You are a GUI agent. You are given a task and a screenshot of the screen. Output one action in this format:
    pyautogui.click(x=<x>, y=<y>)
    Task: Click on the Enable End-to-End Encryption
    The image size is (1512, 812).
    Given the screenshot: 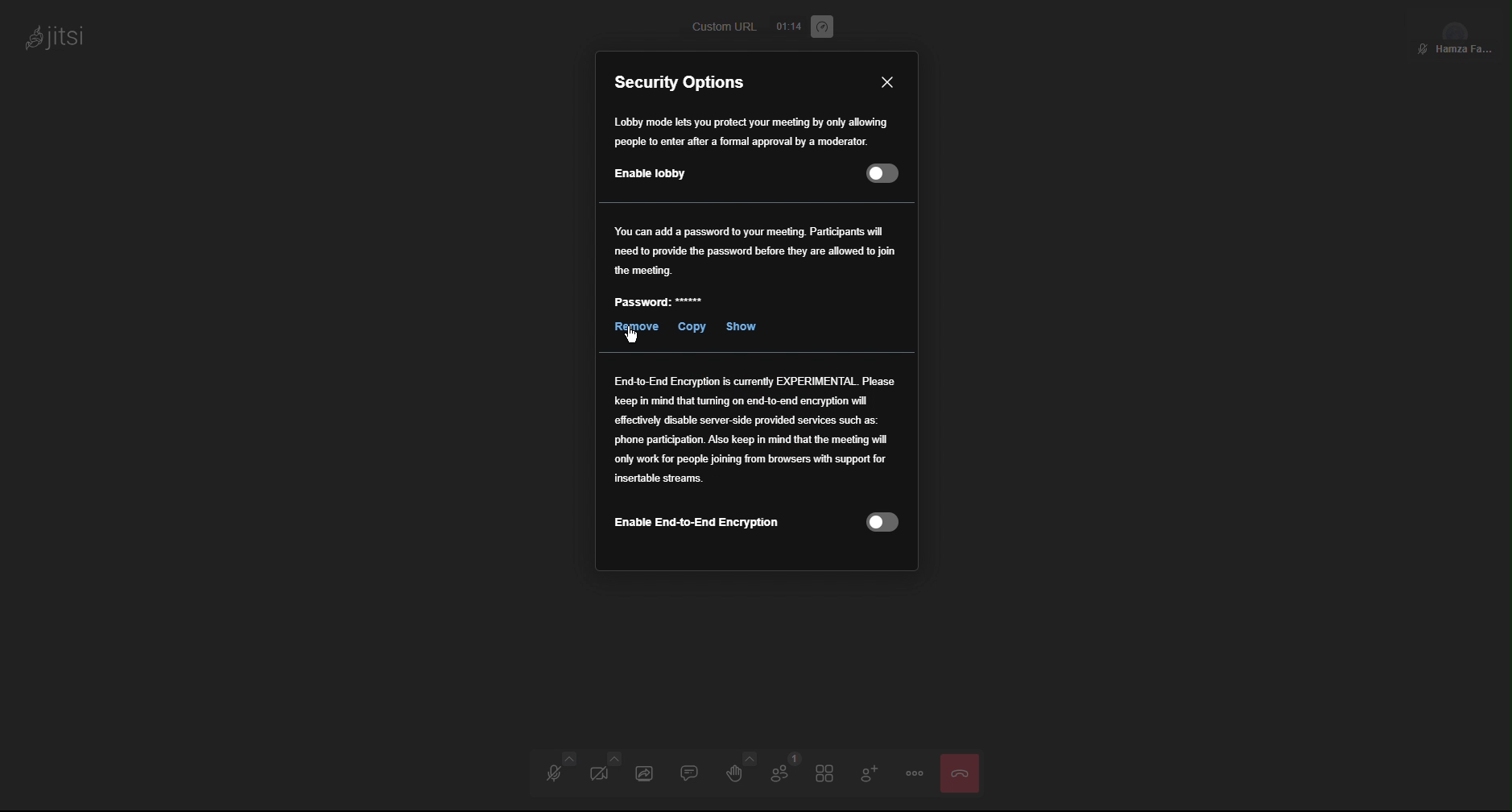 What is the action you would take?
    pyautogui.click(x=756, y=523)
    